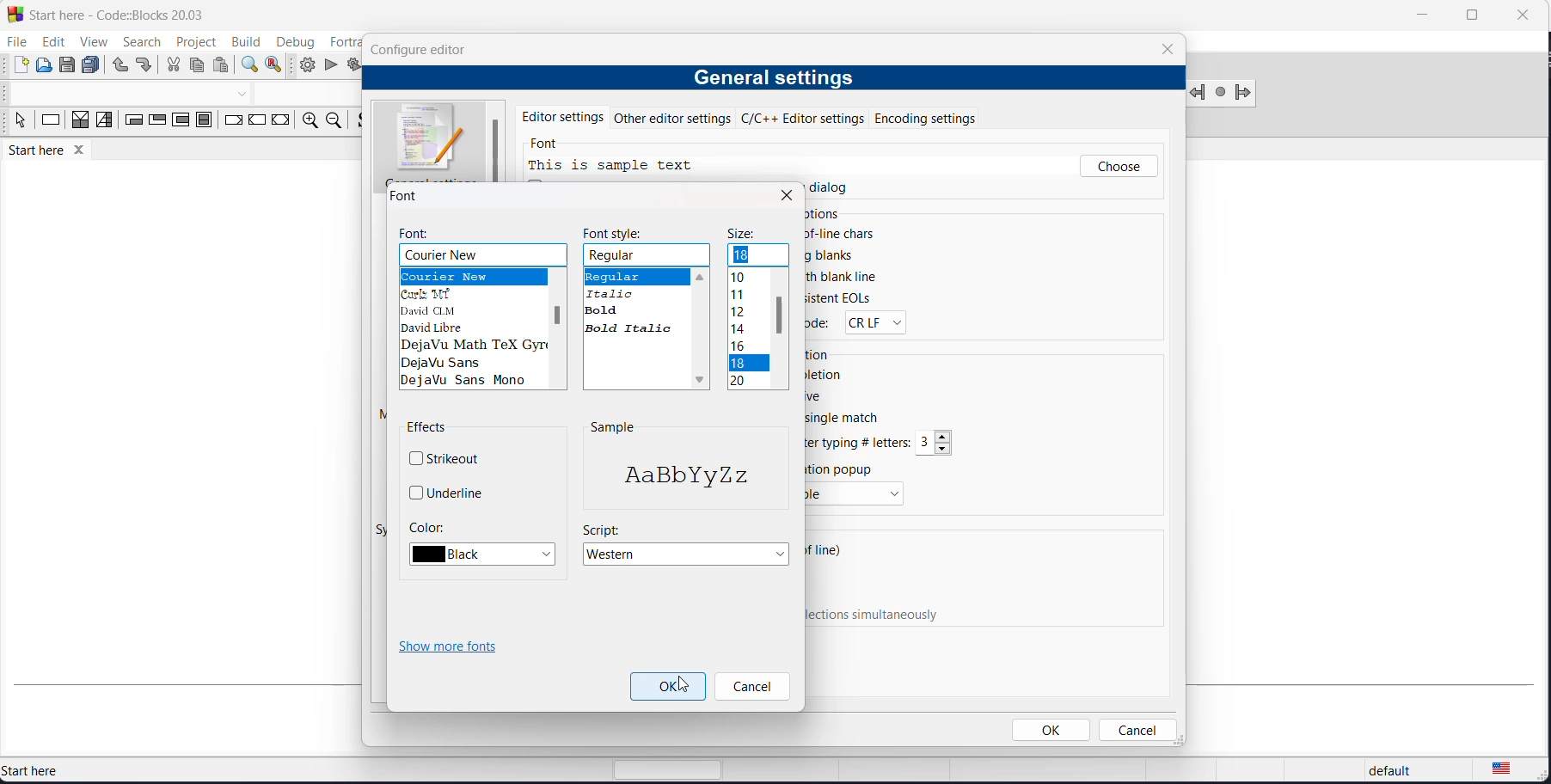 This screenshot has width=1551, height=784. I want to click on script dropdown button, so click(689, 555).